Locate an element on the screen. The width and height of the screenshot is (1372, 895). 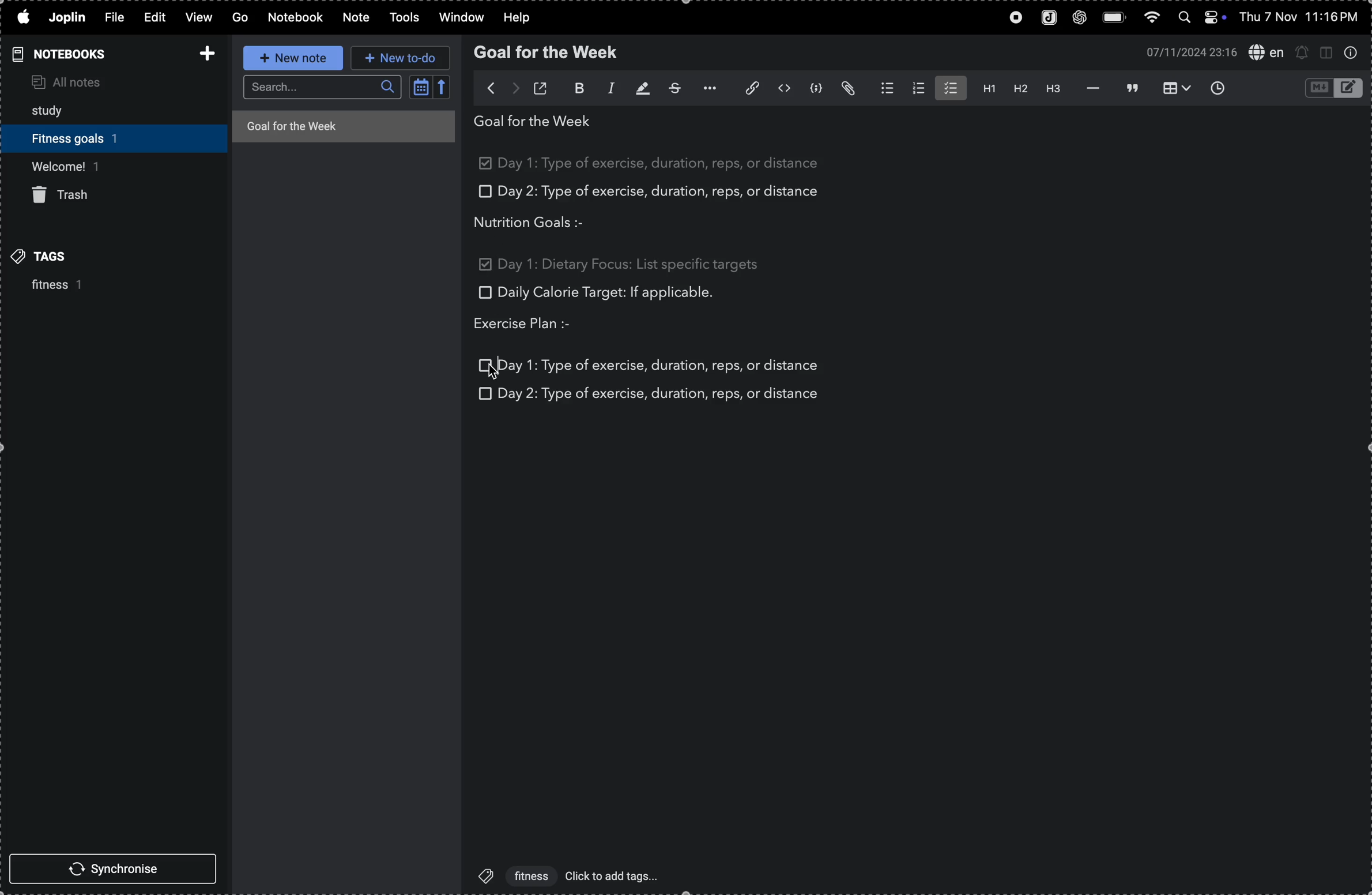
check box is located at coordinates (487, 165).